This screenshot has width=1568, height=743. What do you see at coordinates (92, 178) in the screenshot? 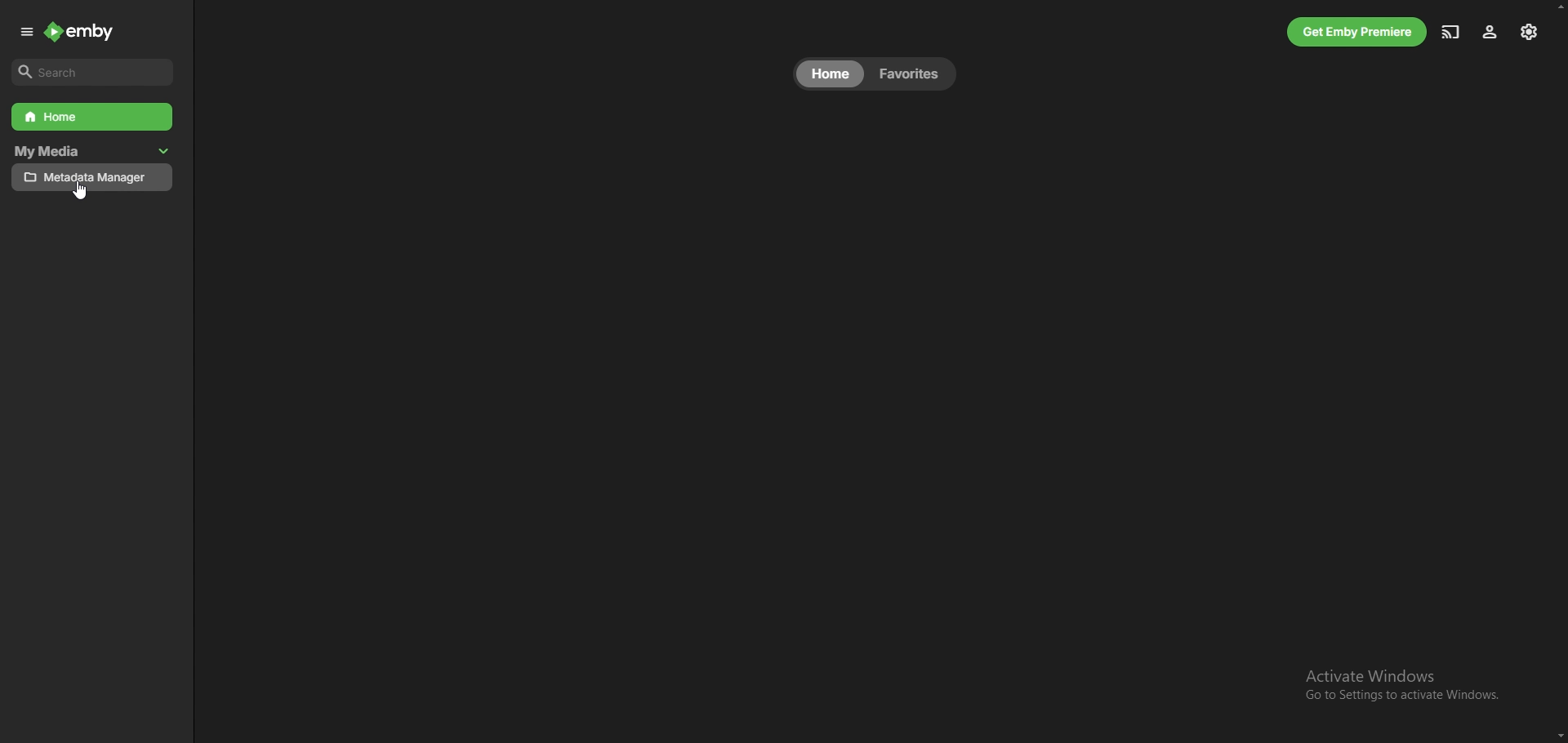
I see `metadata manager` at bounding box center [92, 178].